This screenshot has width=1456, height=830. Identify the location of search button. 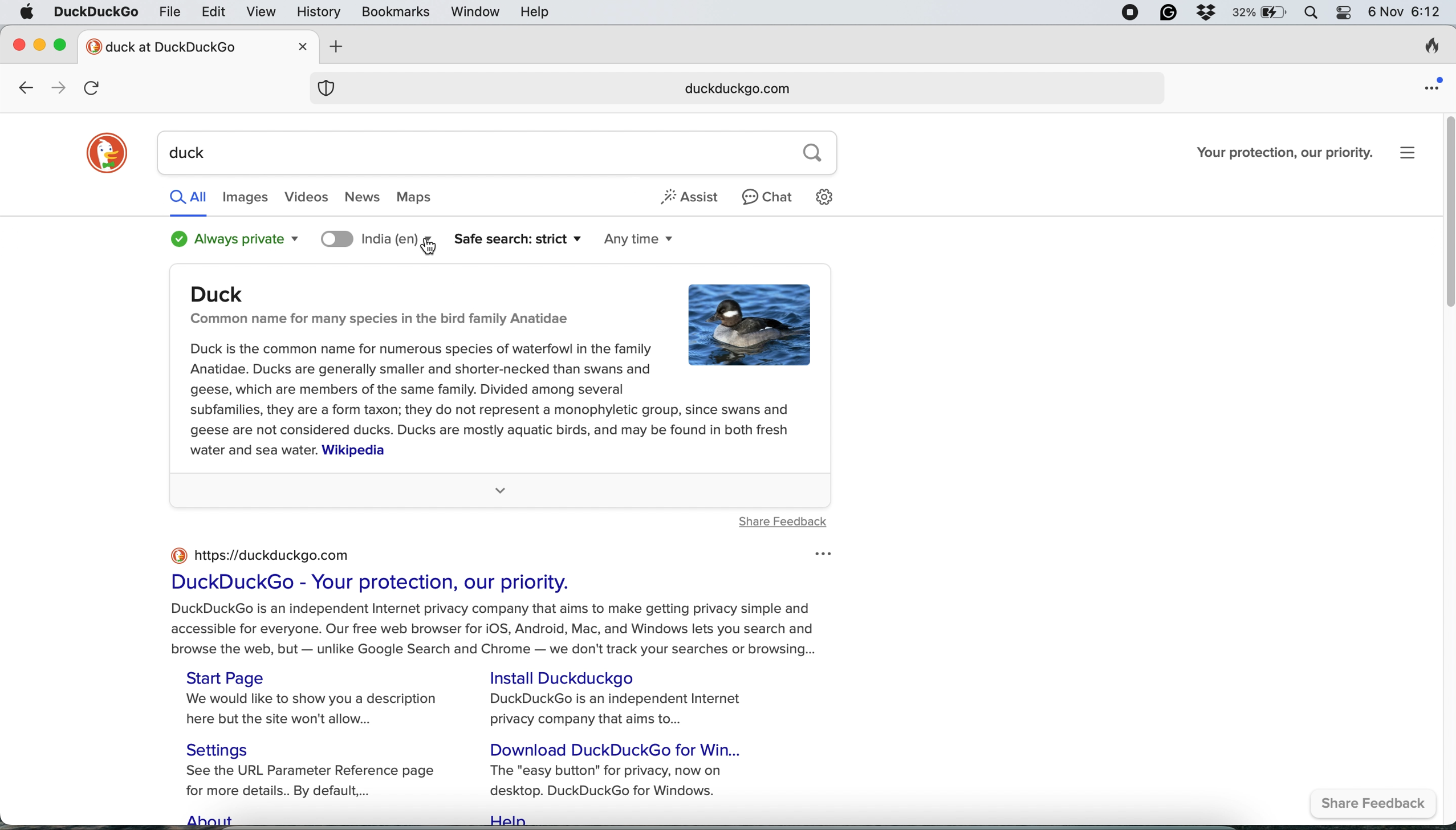
(813, 153).